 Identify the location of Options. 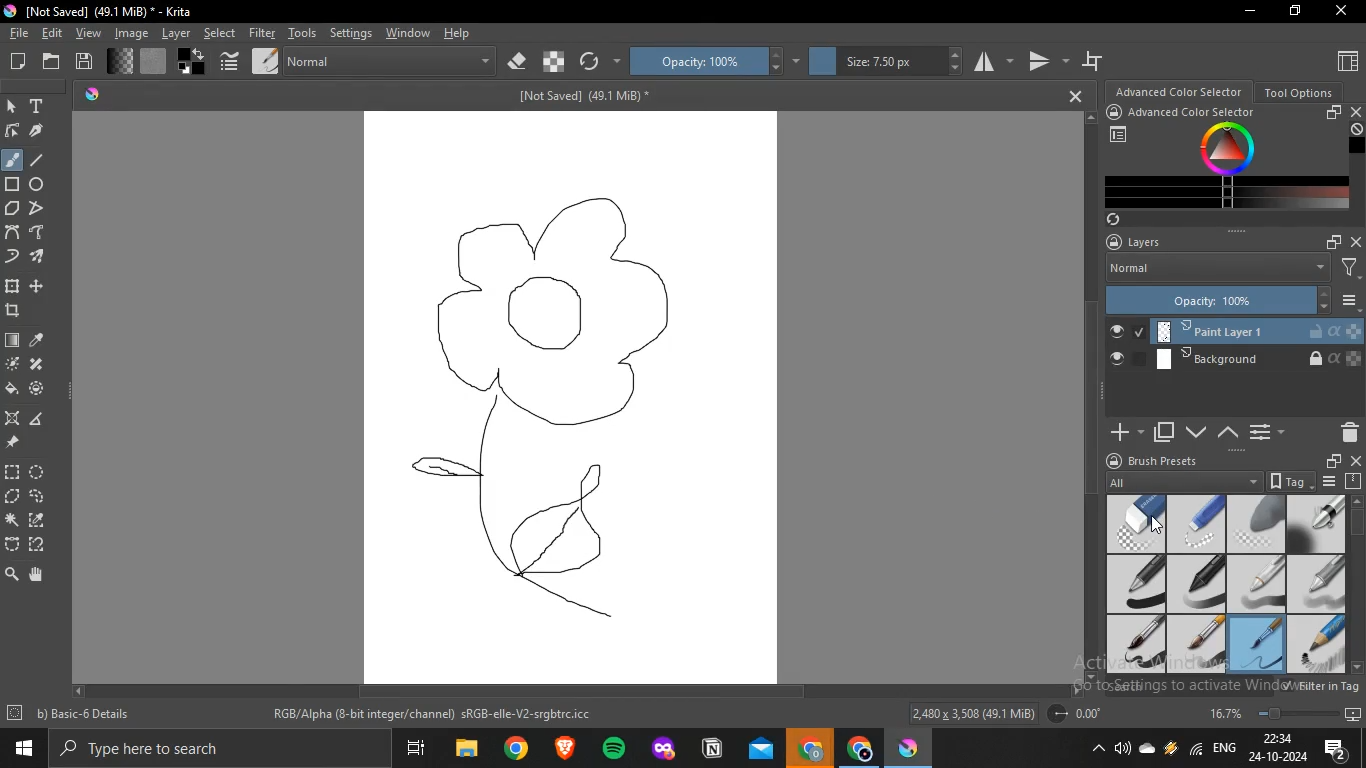
(1265, 432).